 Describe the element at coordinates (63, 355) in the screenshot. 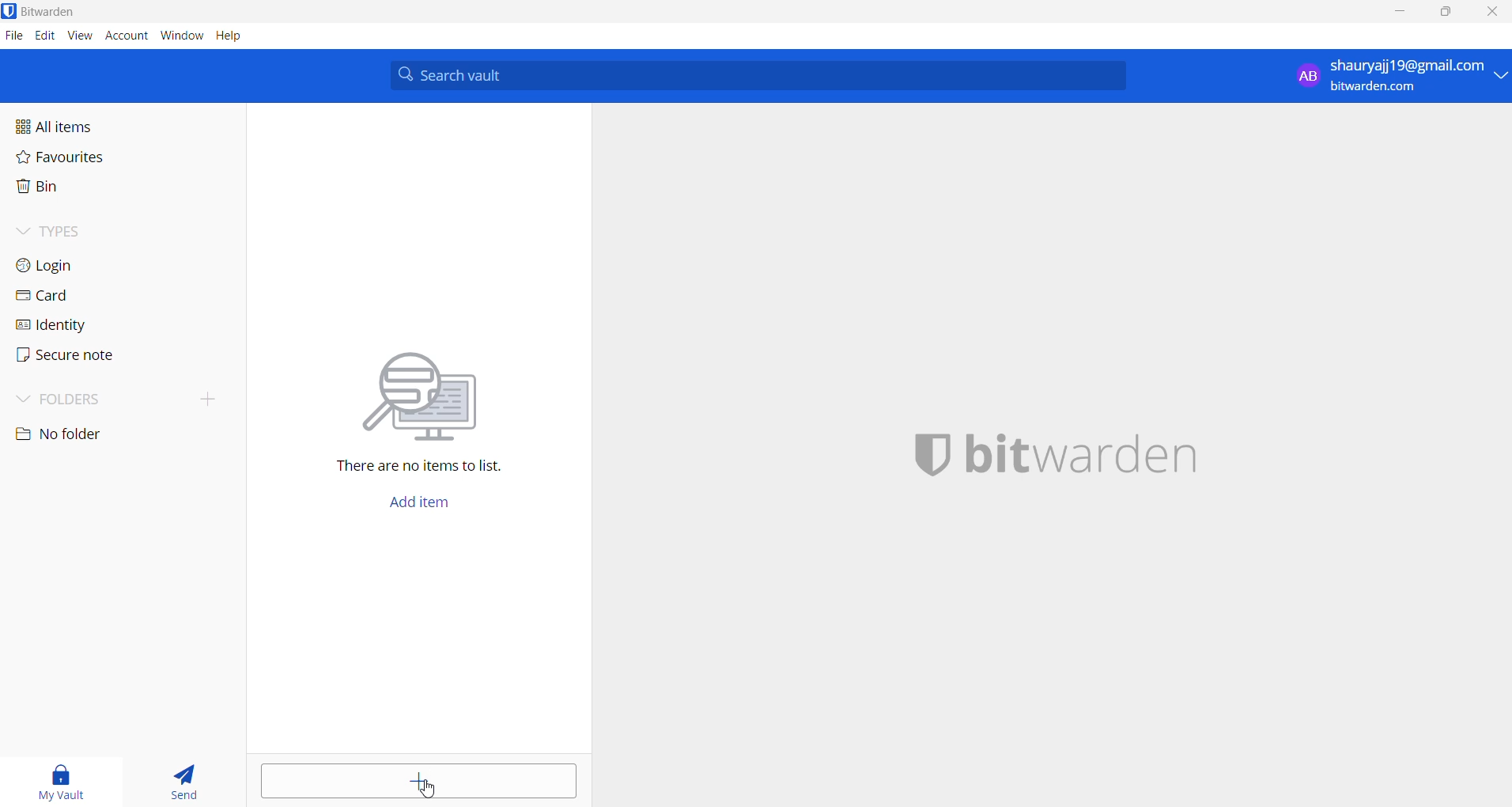

I see `secure note` at that location.